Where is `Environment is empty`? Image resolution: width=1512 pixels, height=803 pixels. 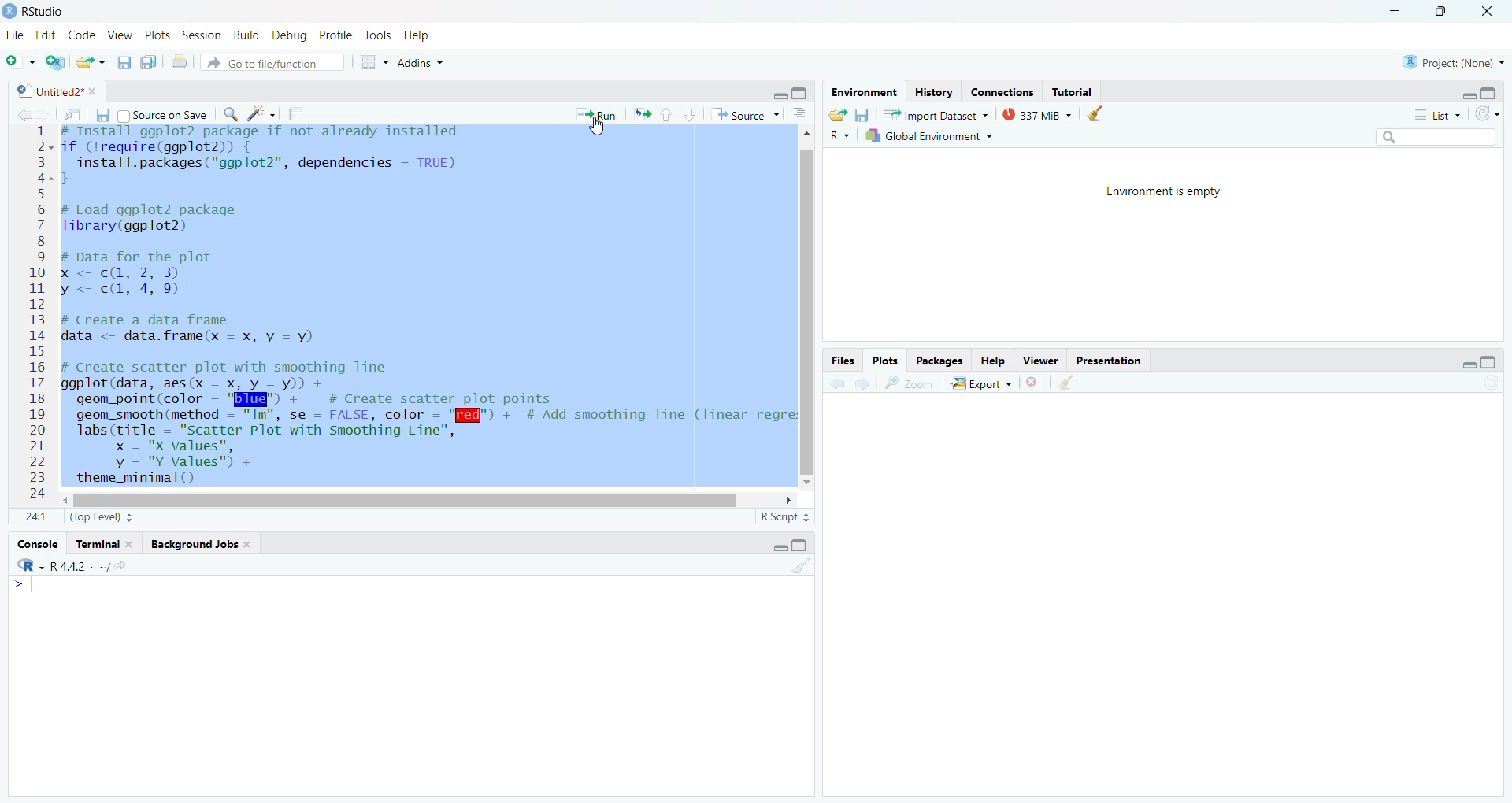 Environment is empty is located at coordinates (1166, 194).